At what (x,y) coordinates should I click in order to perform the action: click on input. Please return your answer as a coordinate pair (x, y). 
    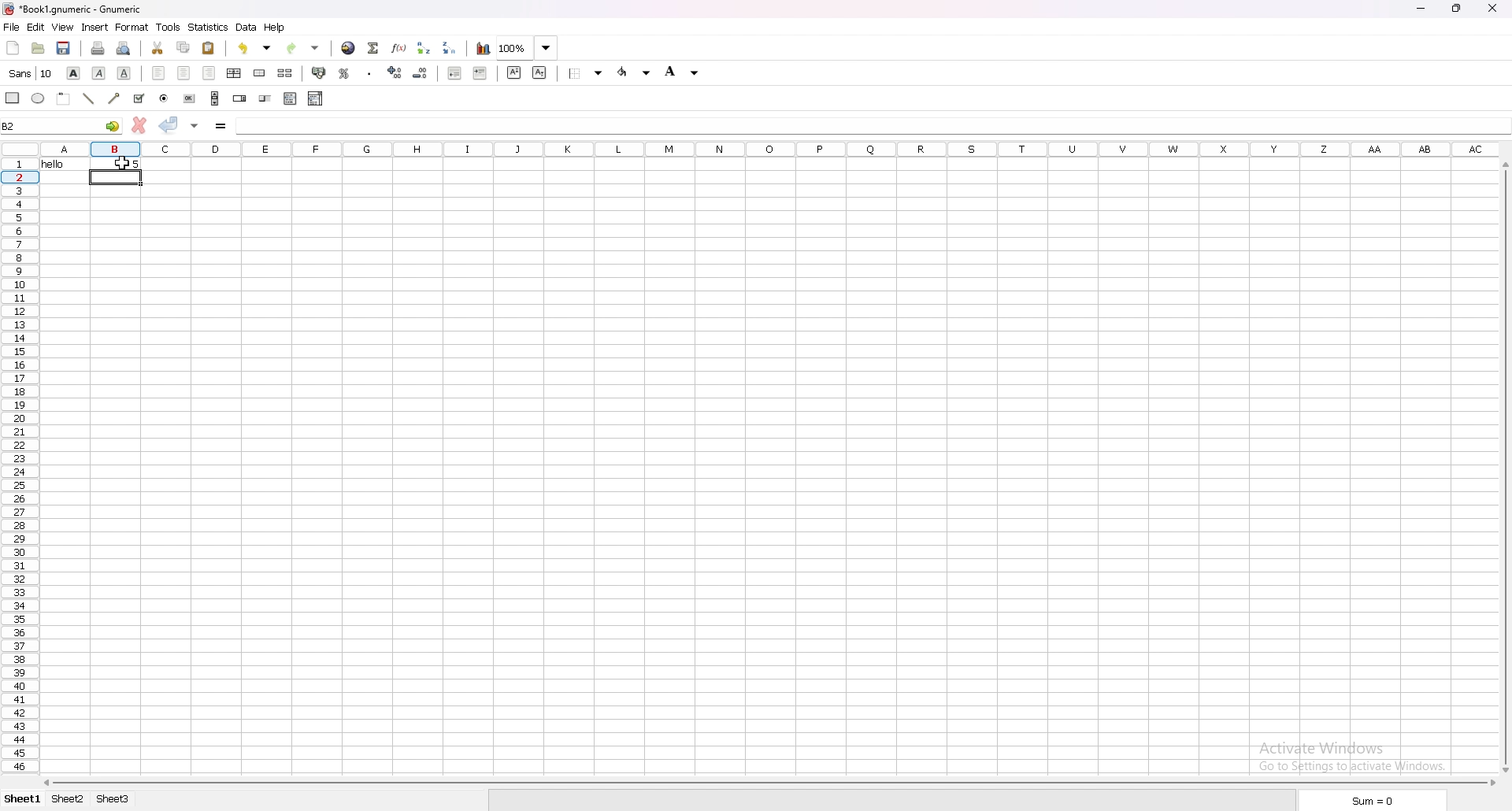
    Looking at the image, I should click on (262, 126).